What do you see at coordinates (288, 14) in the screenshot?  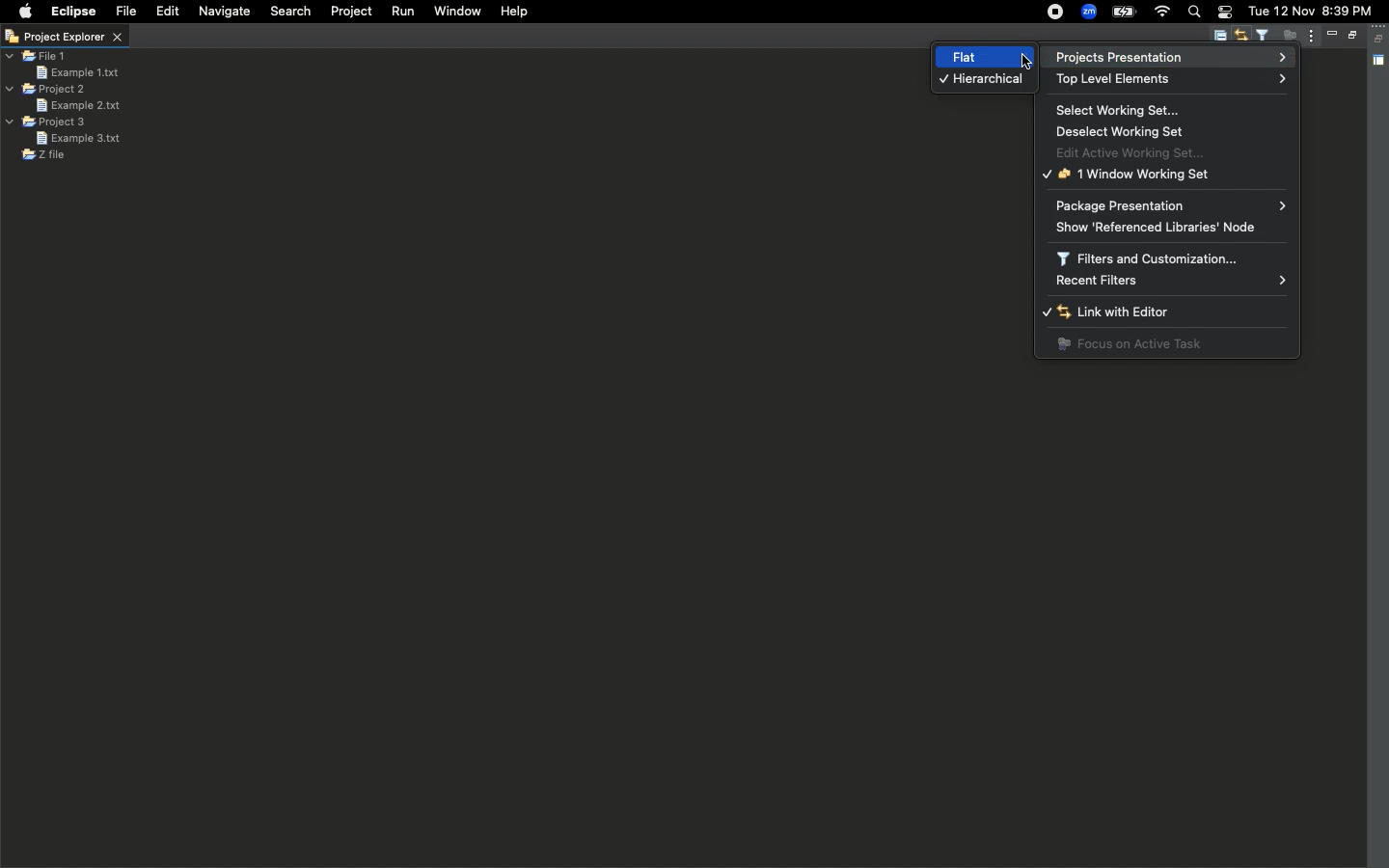 I see `Search` at bounding box center [288, 14].